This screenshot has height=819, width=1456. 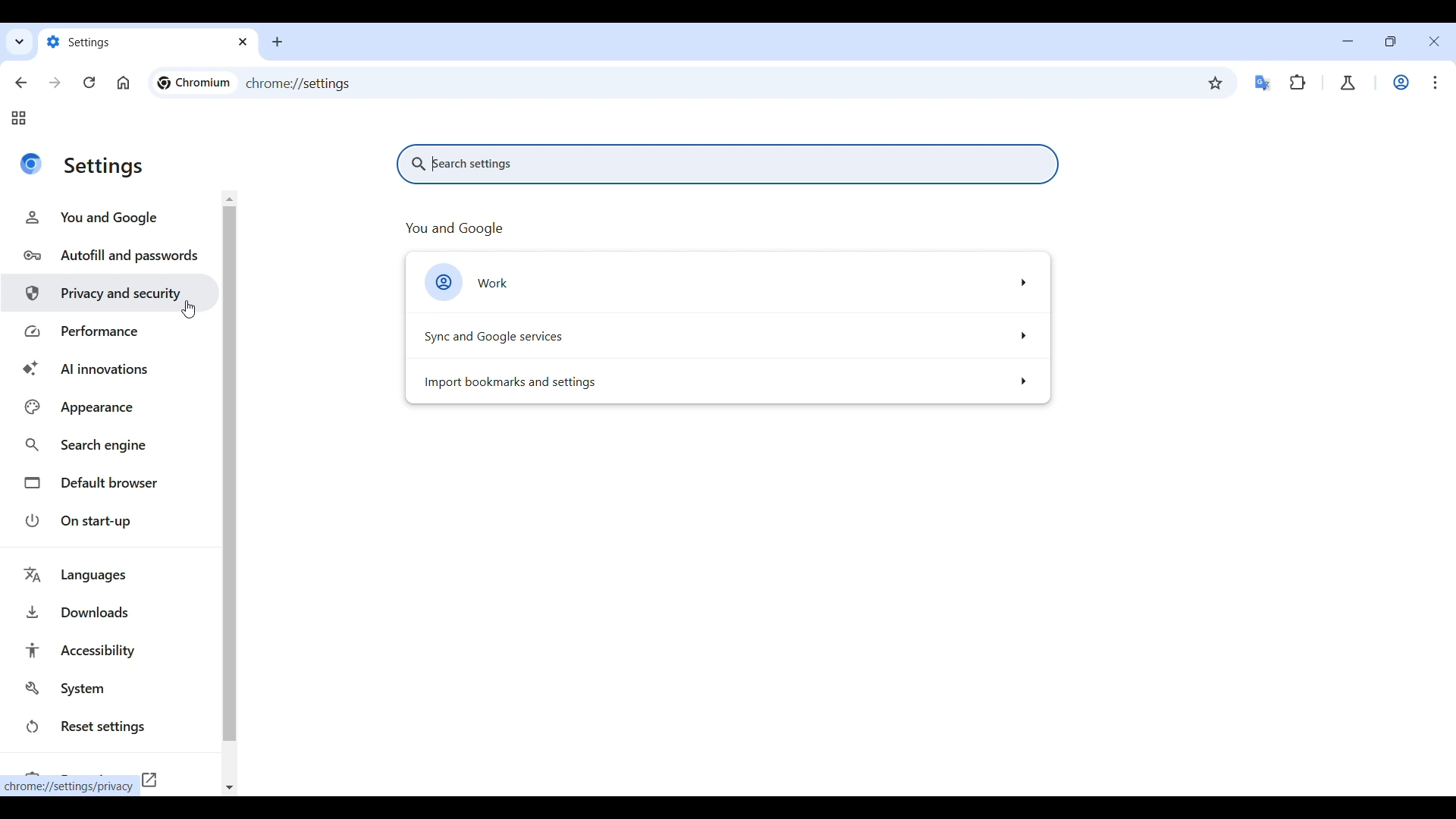 What do you see at coordinates (22, 83) in the screenshot?
I see `Go back` at bounding box center [22, 83].